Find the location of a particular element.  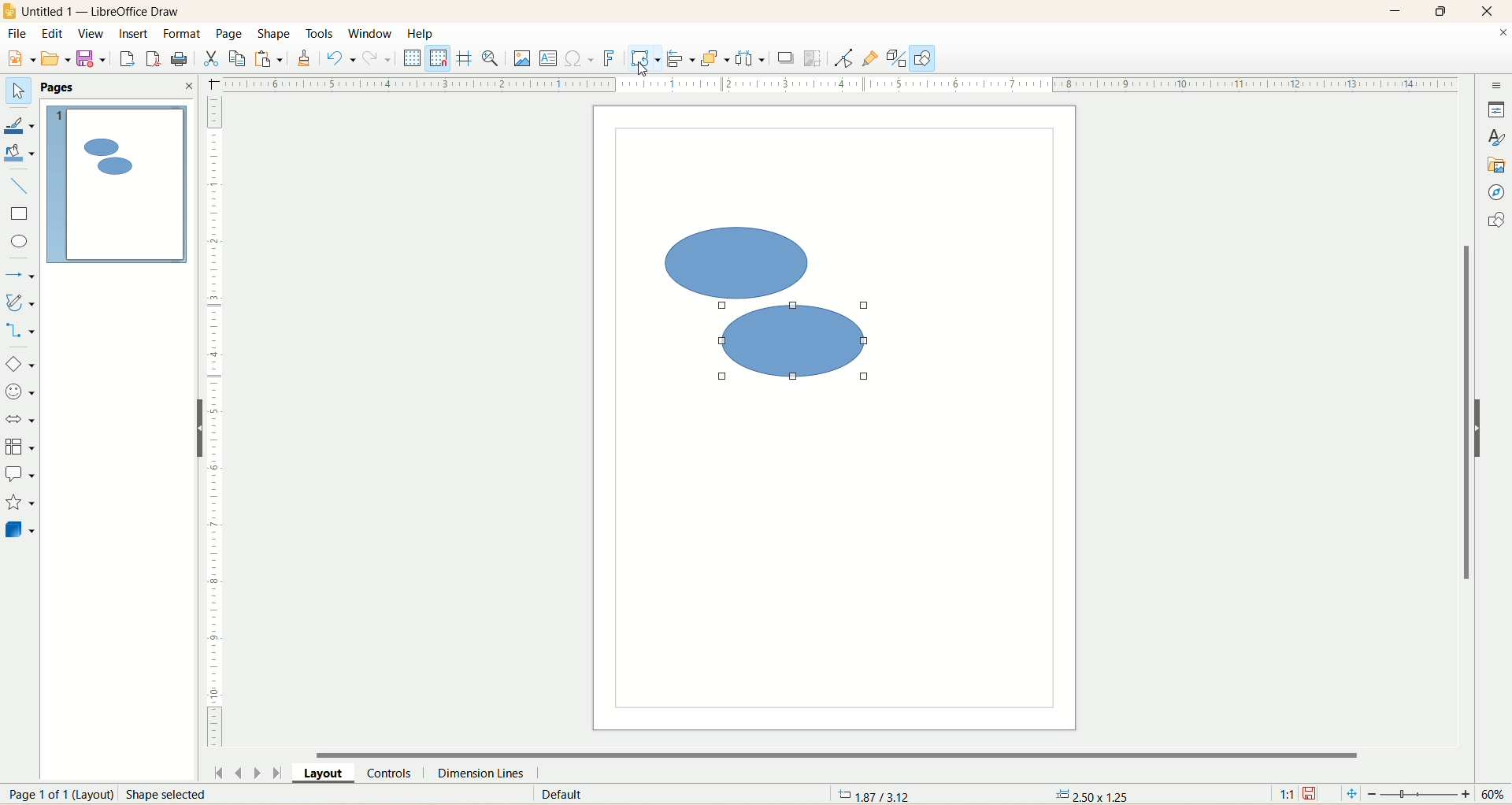

zoom factor is located at coordinates (1421, 793).